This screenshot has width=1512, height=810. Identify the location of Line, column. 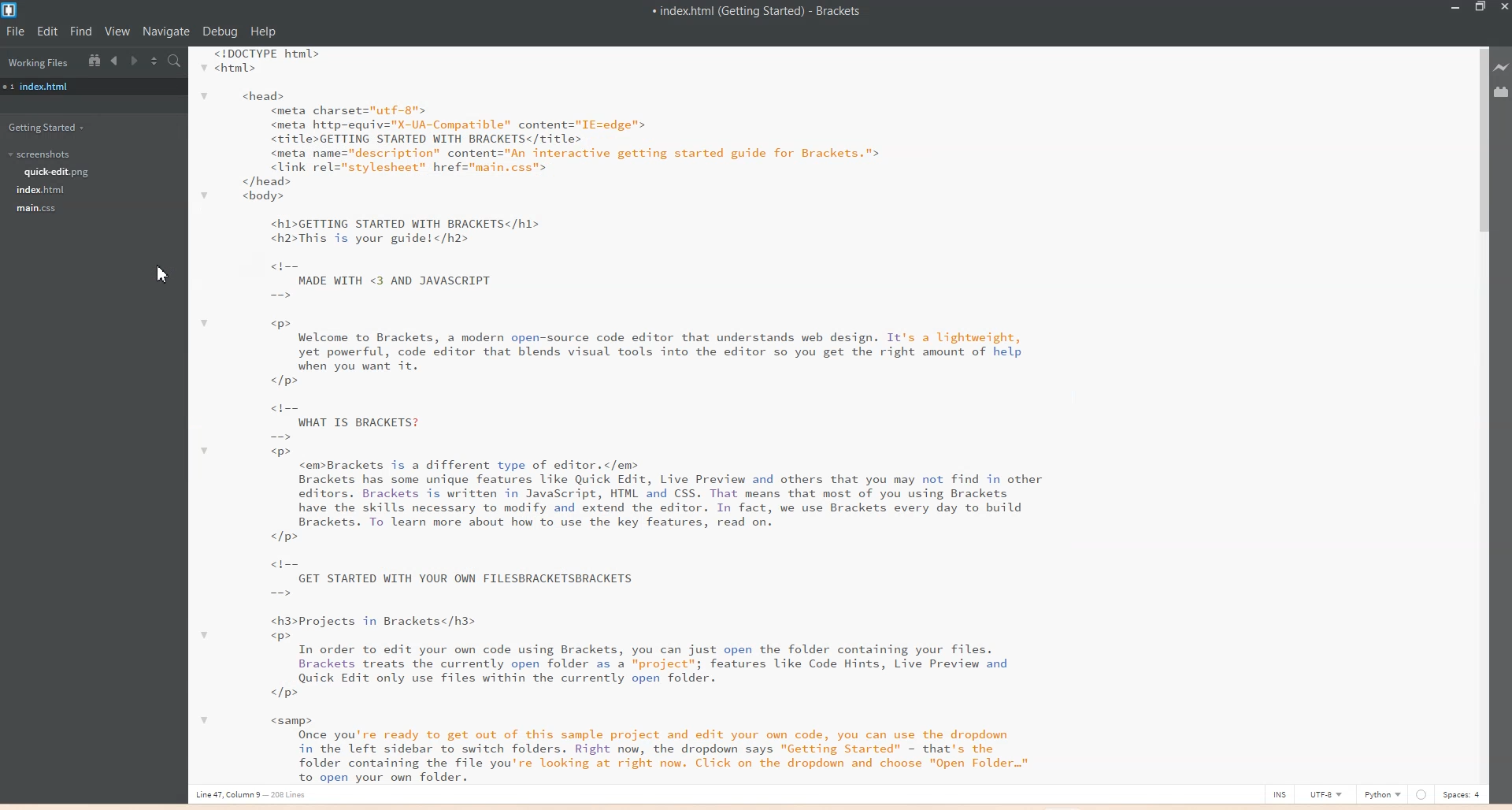
(257, 797).